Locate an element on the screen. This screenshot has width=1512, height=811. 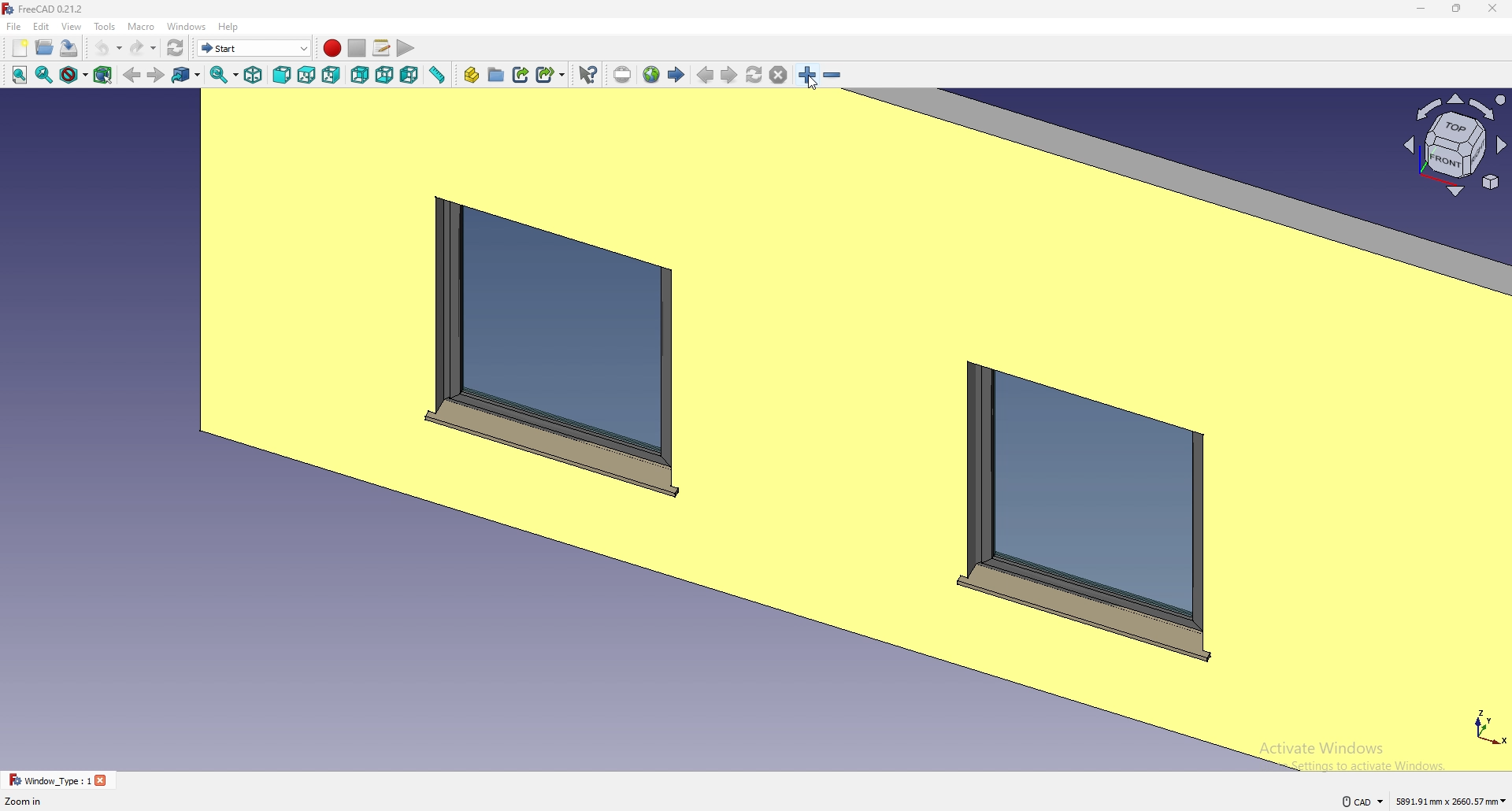
axis indicator is located at coordinates (1453, 144).